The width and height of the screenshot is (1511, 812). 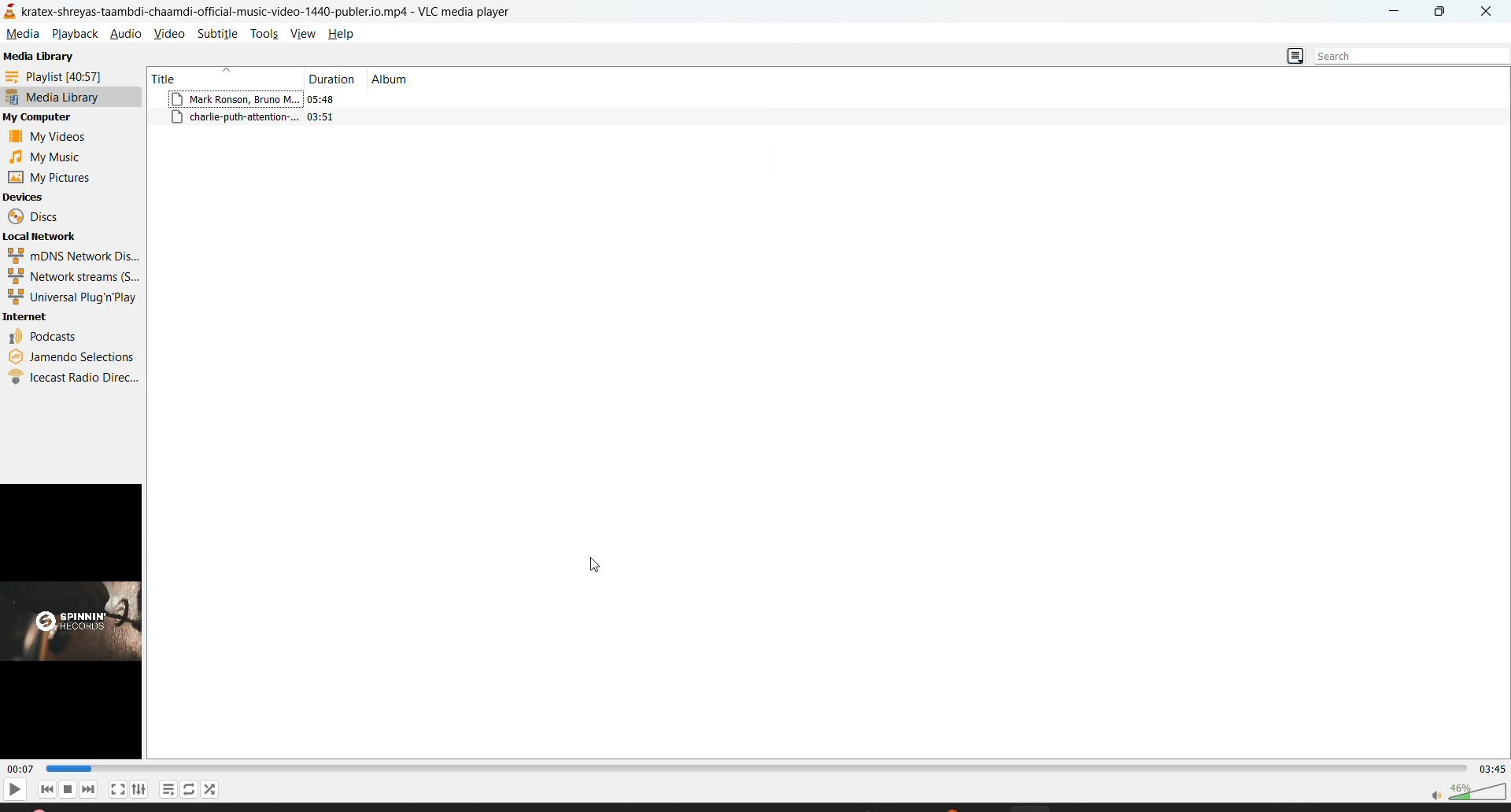 What do you see at coordinates (166, 791) in the screenshot?
I see `playlist` at bounding box center [166, 791].